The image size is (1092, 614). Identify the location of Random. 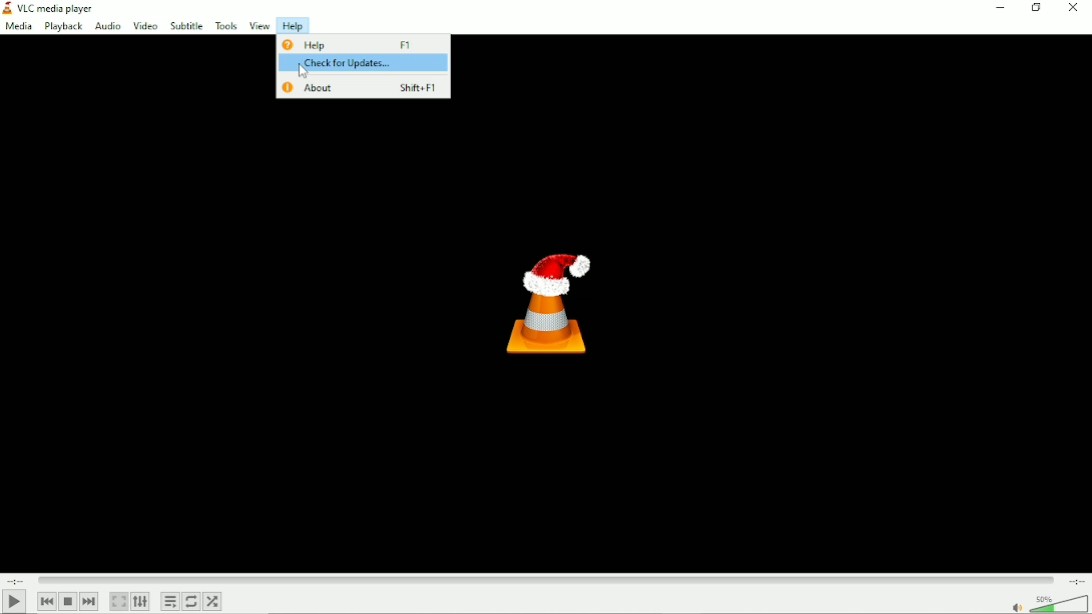
(211, 602).